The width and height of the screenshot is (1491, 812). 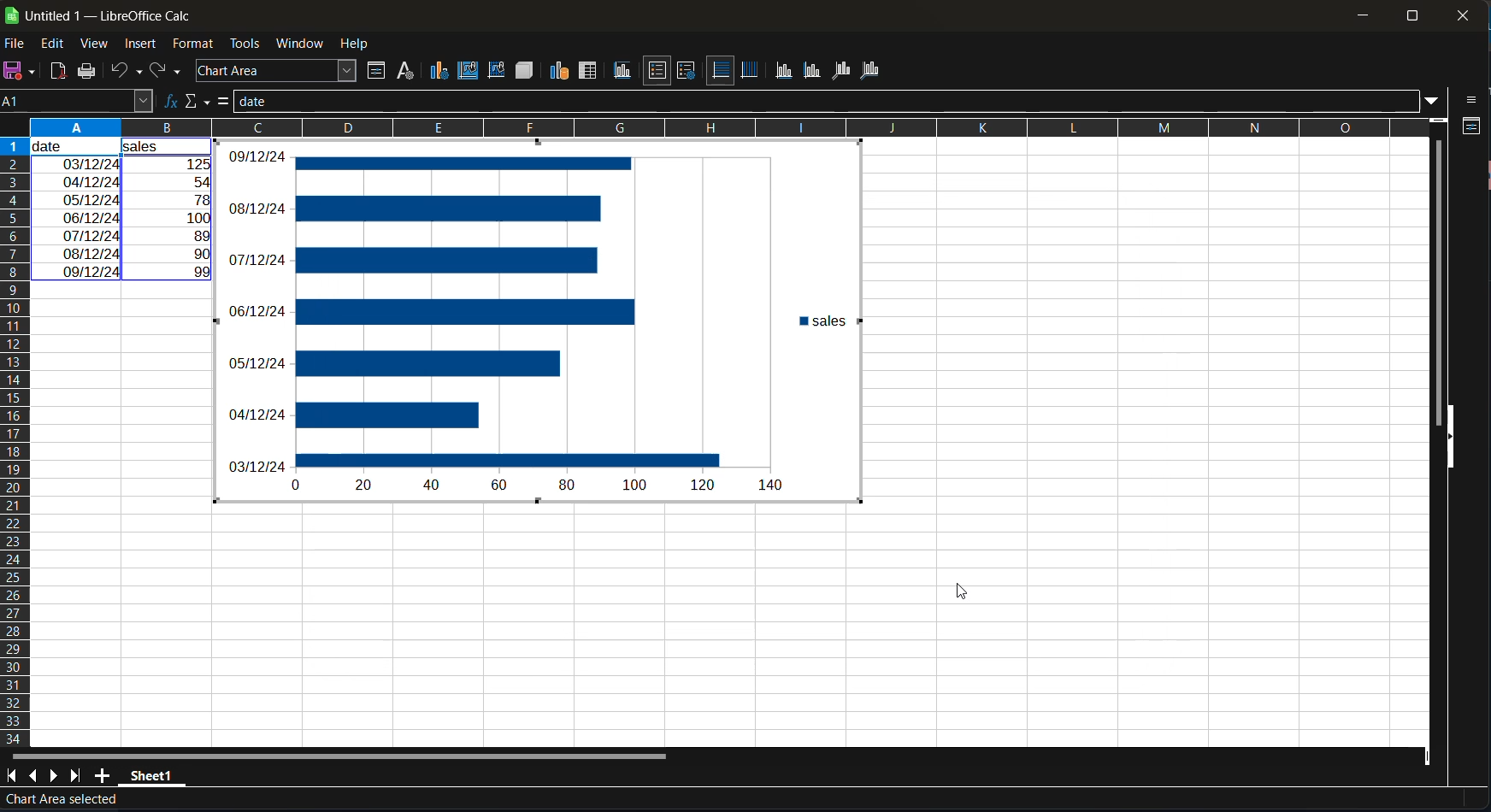 What do you see at coordinates (497, 69) in the screenshot?
I see `chart wall` at bounding box center [497, 69].